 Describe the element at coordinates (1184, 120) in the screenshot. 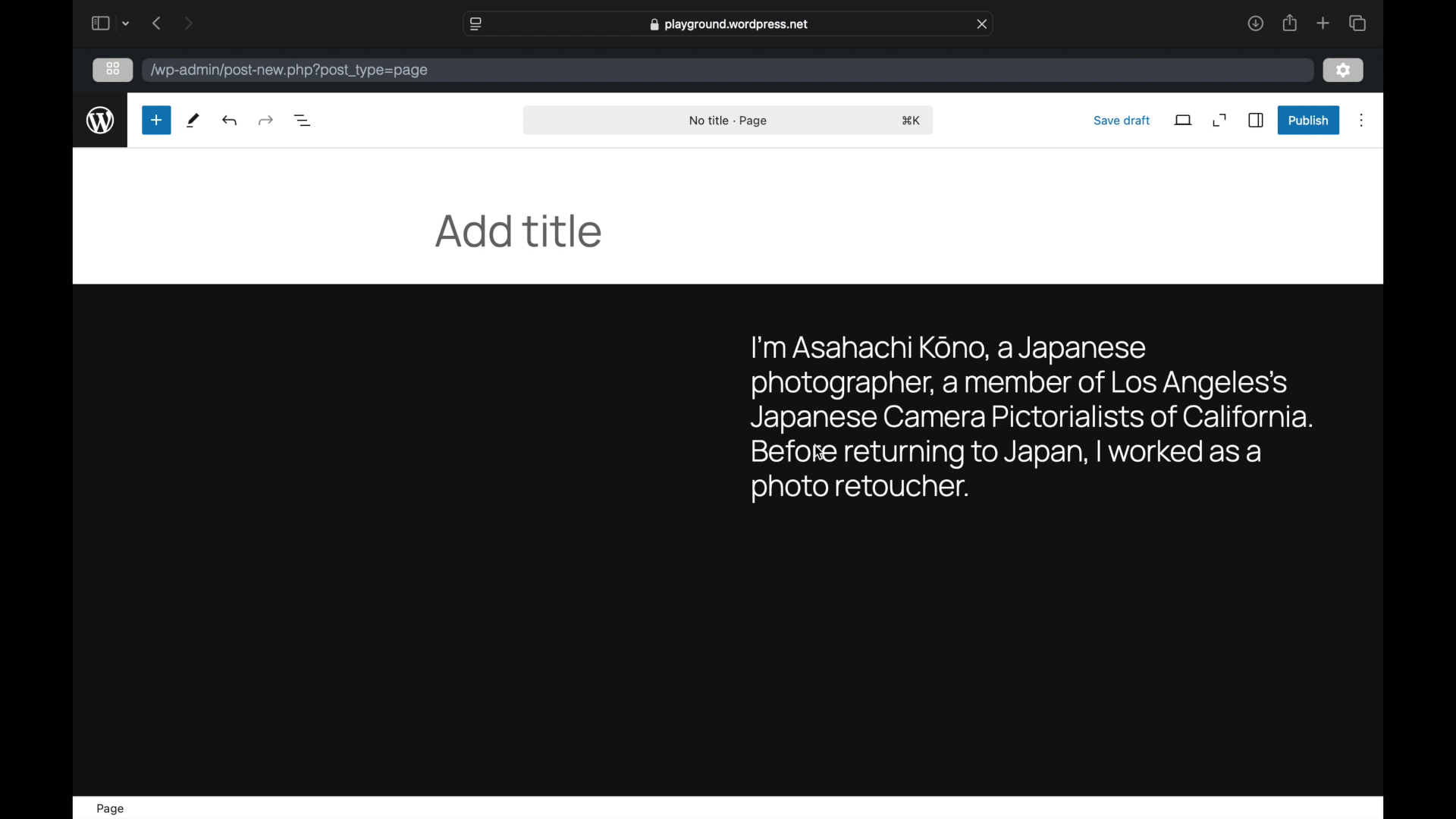

I see `view` at that location.